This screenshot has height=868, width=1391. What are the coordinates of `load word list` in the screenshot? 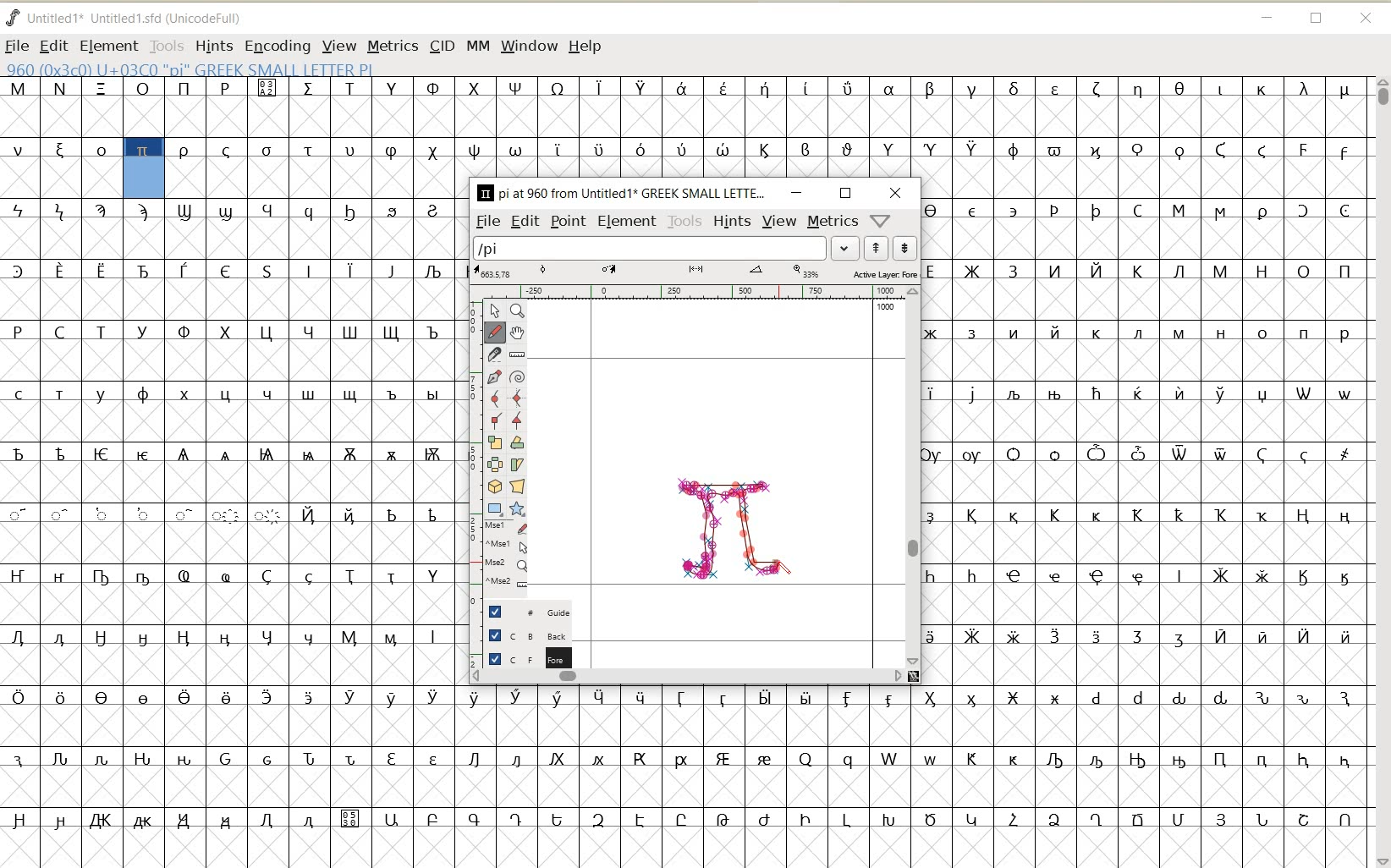 It's located at (666, 247).